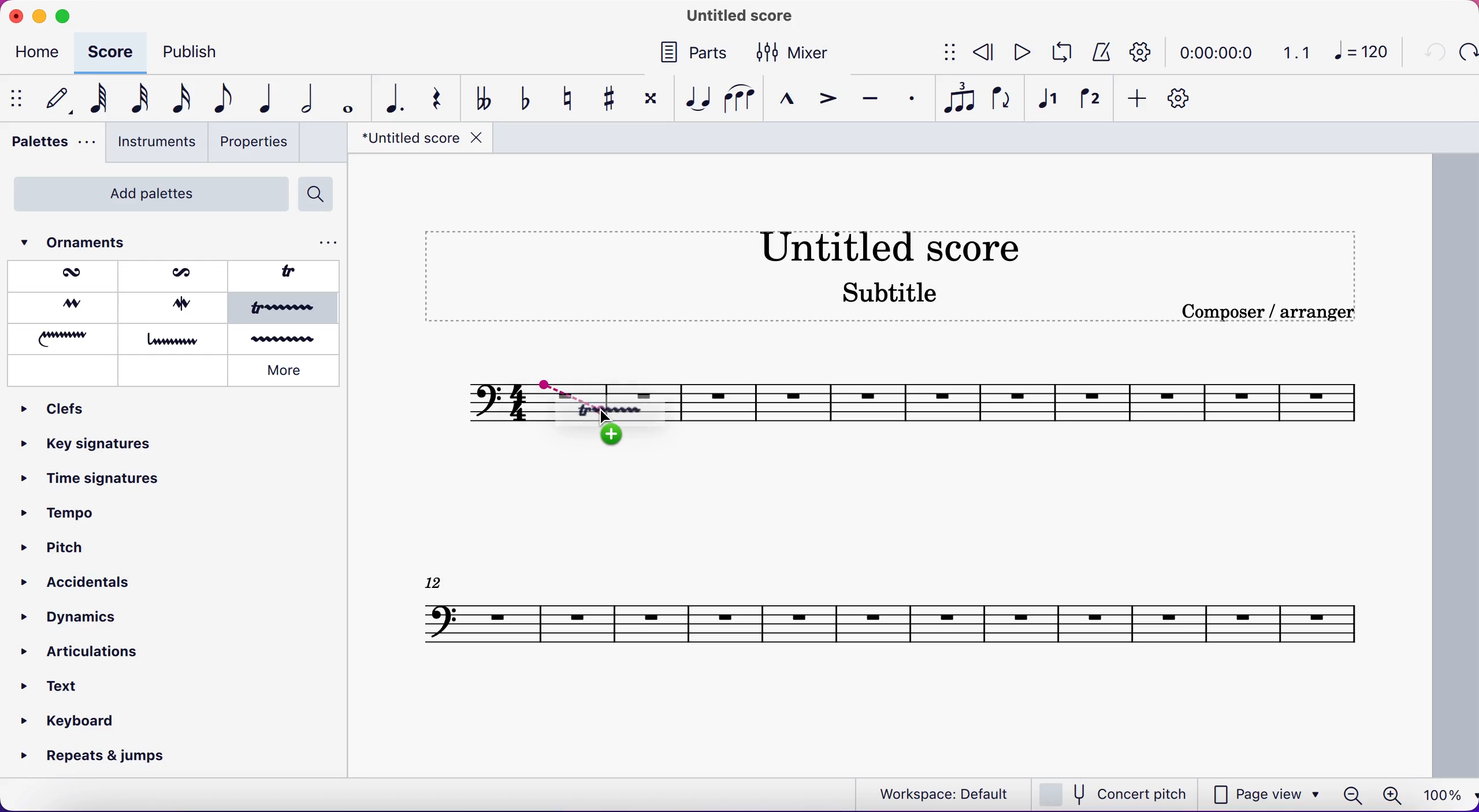  I want to click on trill line added, so click(621, 407).